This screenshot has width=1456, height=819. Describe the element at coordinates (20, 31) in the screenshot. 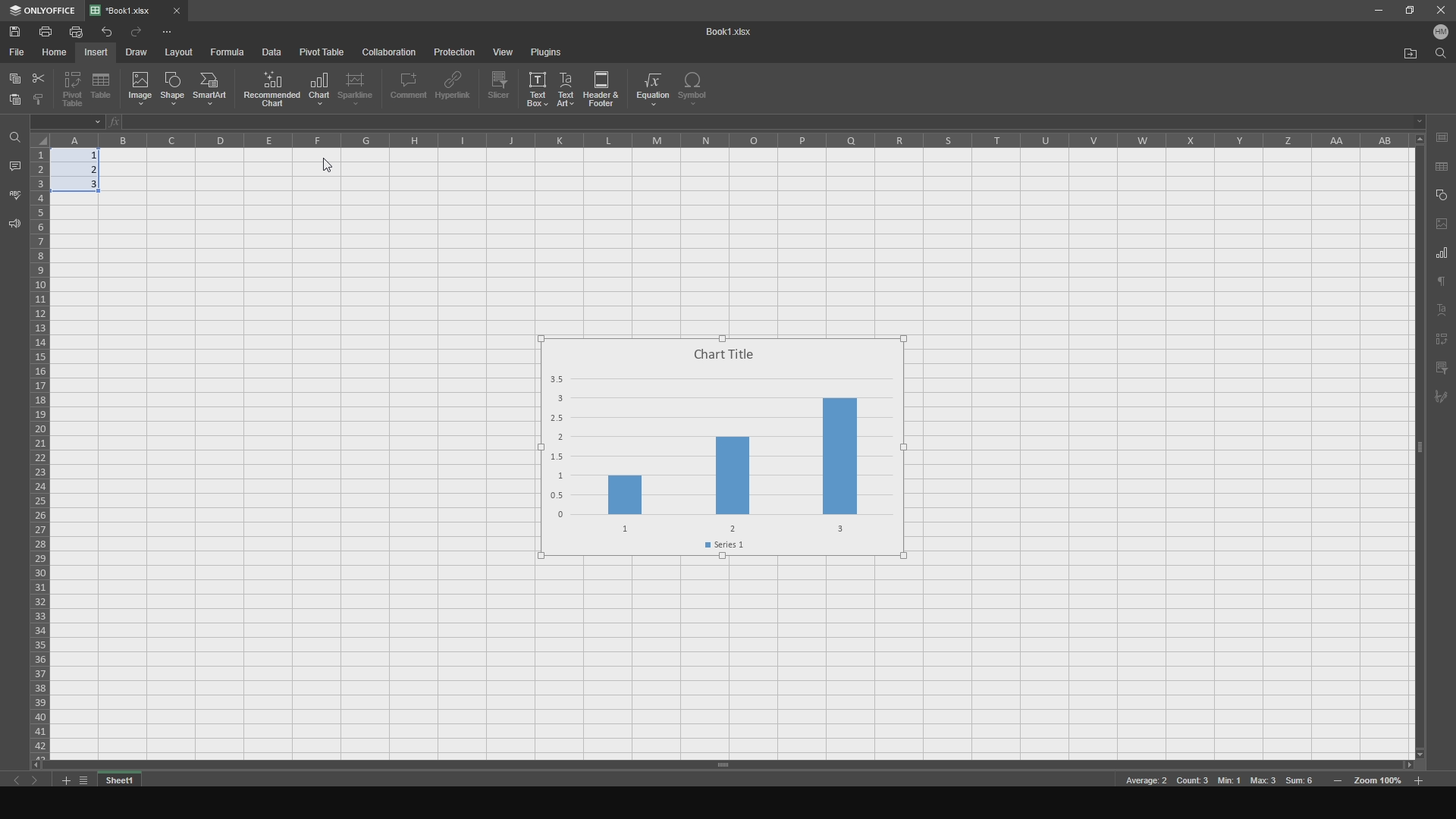

I see `save` at that location.